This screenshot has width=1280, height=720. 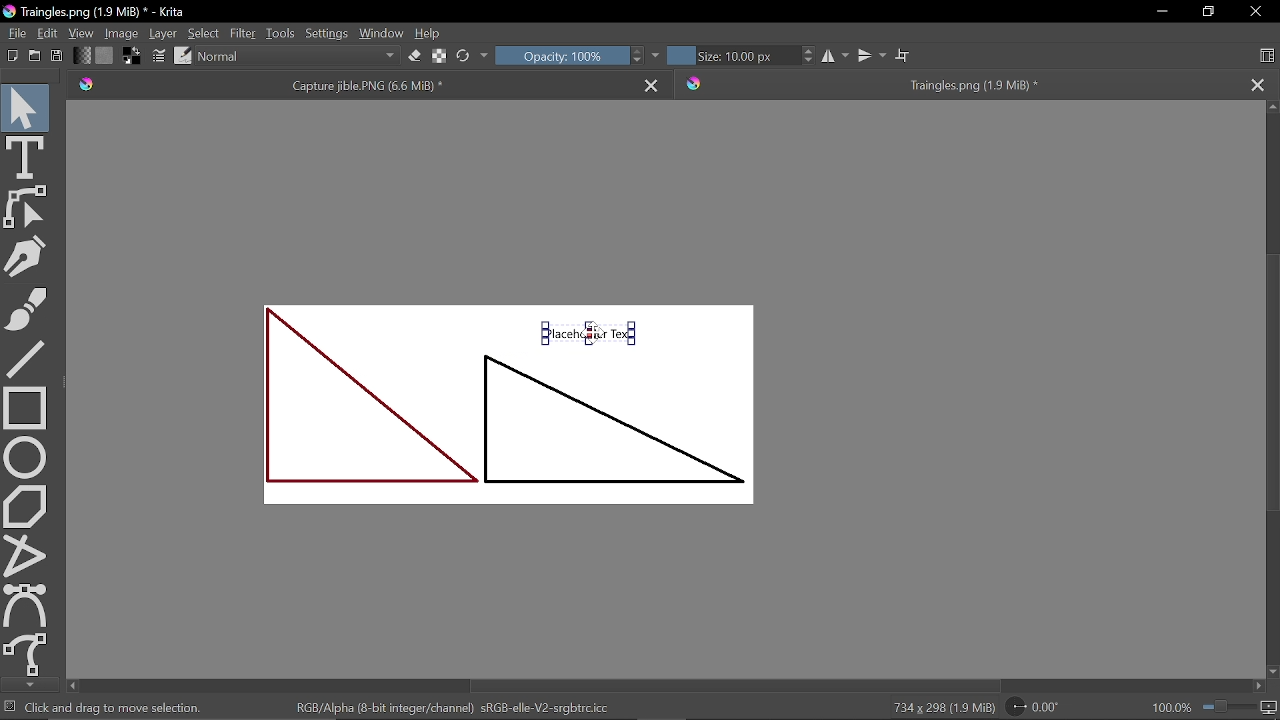 What do you see at coordinates (158, 56) in the screenshot?
I see `Edit brush settings` at bounding box center [158, 56].